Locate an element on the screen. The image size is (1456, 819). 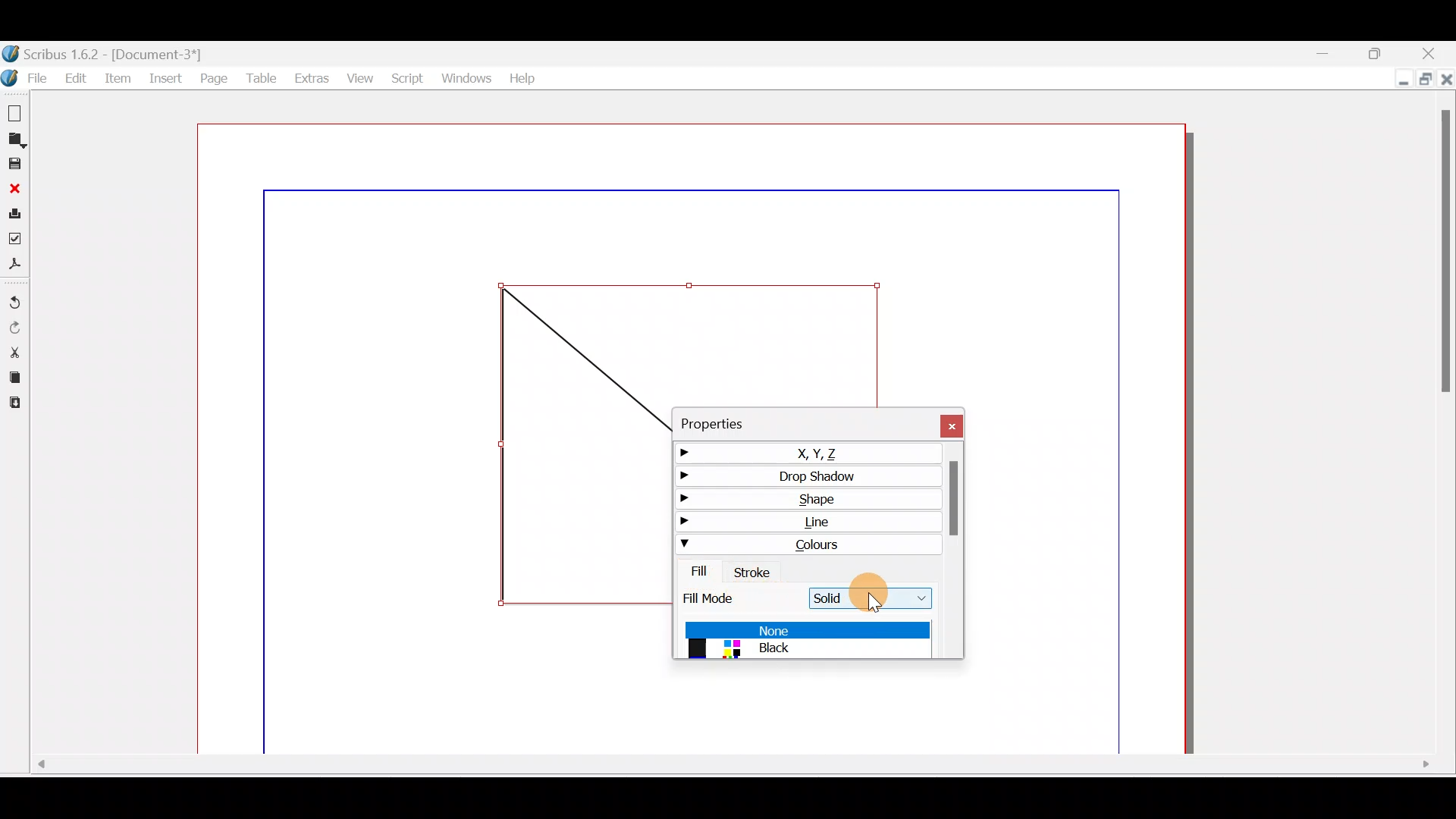
None is located at coordinates (807, 629).